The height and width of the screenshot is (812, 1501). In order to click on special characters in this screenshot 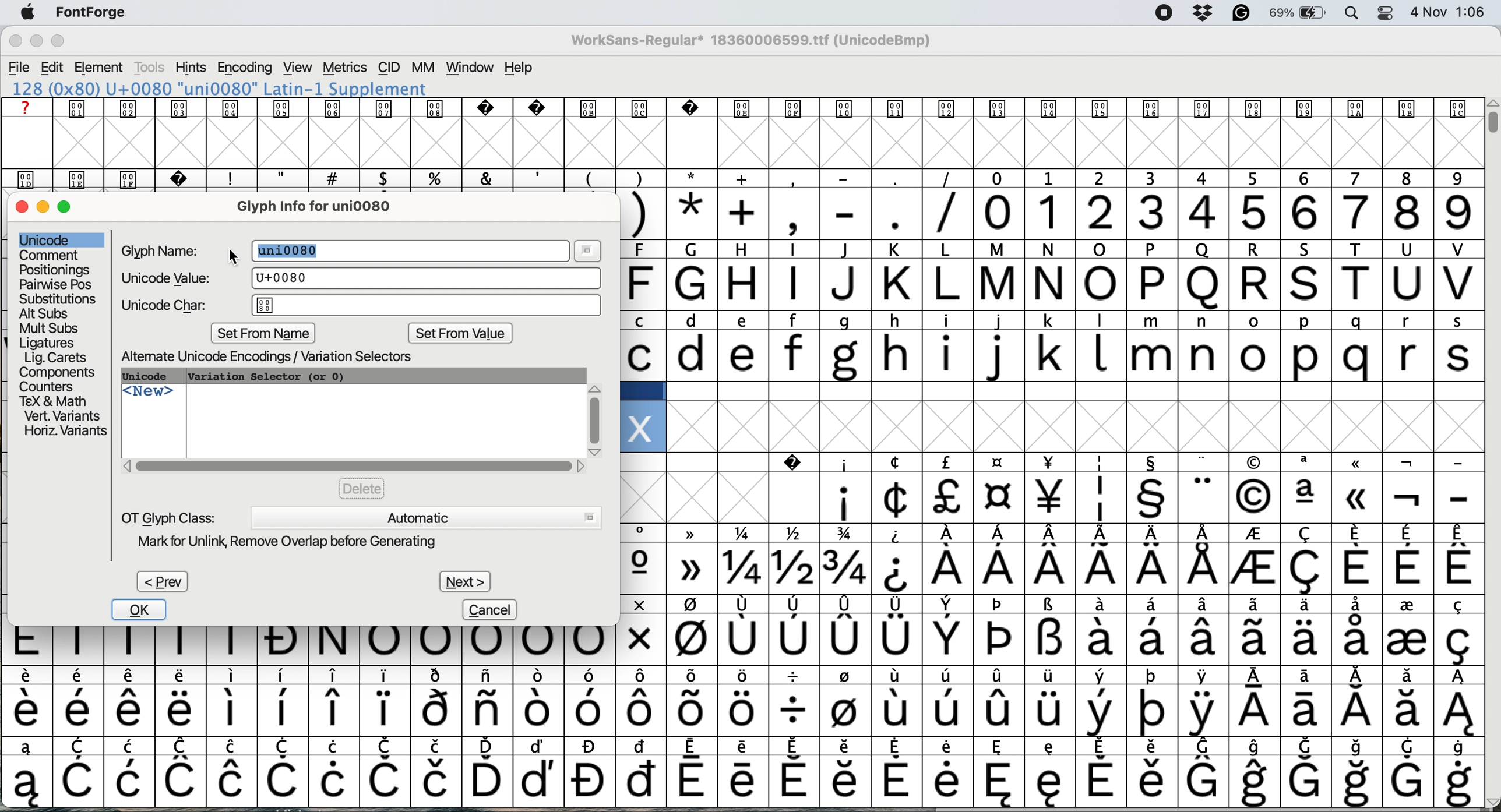, I will do `click(1050, 535)`.